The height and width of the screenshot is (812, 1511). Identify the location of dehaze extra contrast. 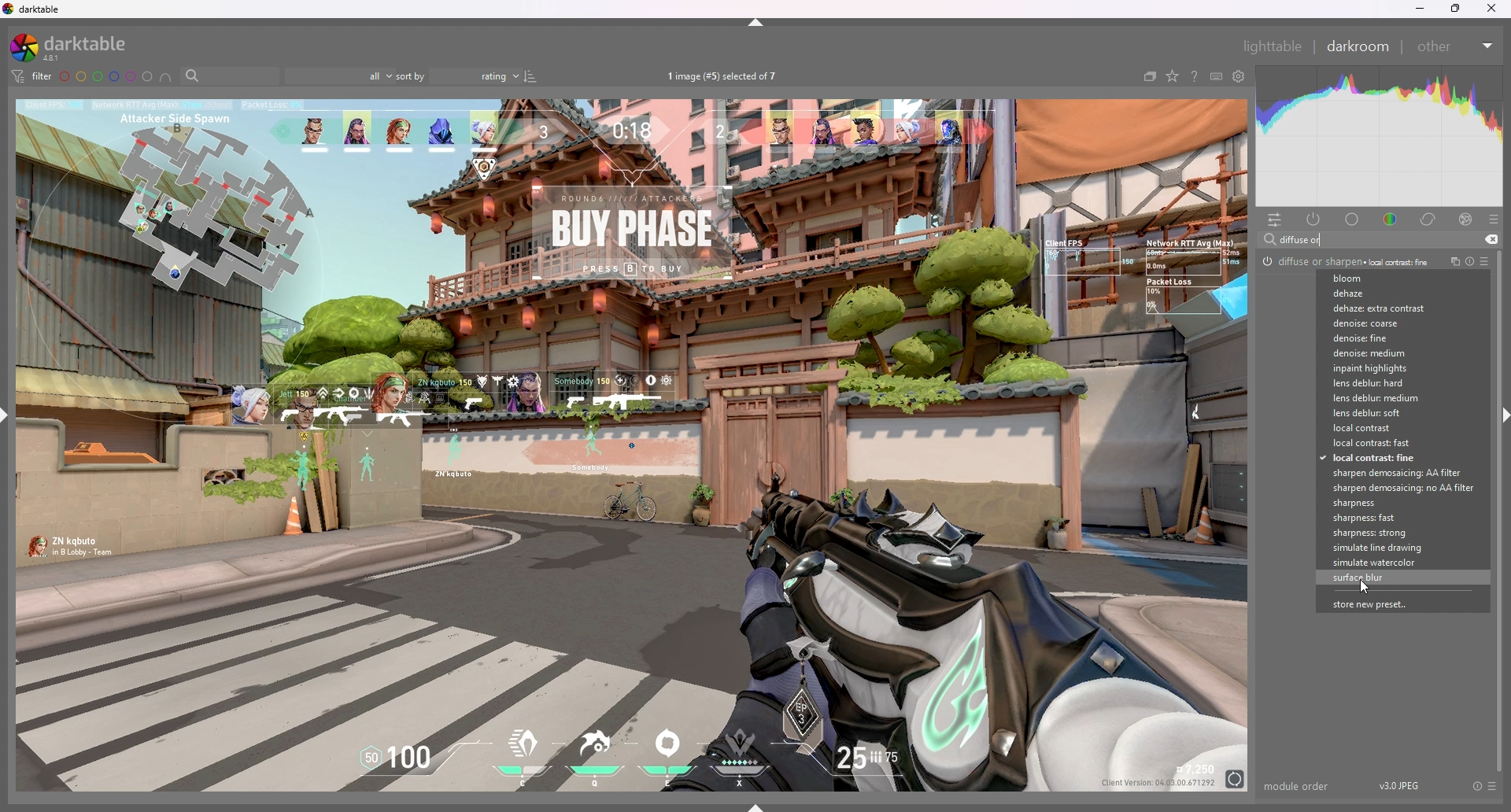
(1384, 308).